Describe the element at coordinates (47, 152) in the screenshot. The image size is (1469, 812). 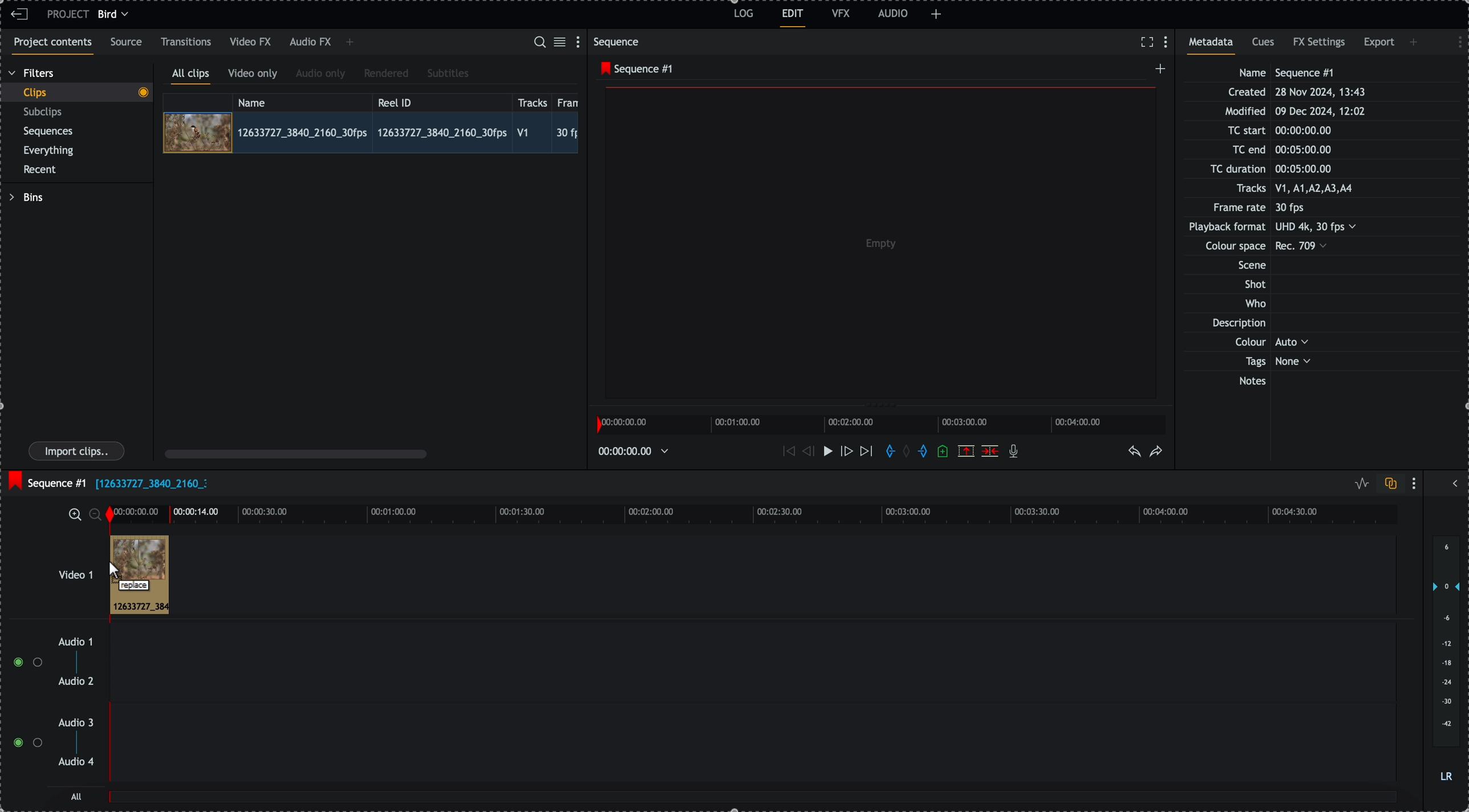
I see `` at that location.